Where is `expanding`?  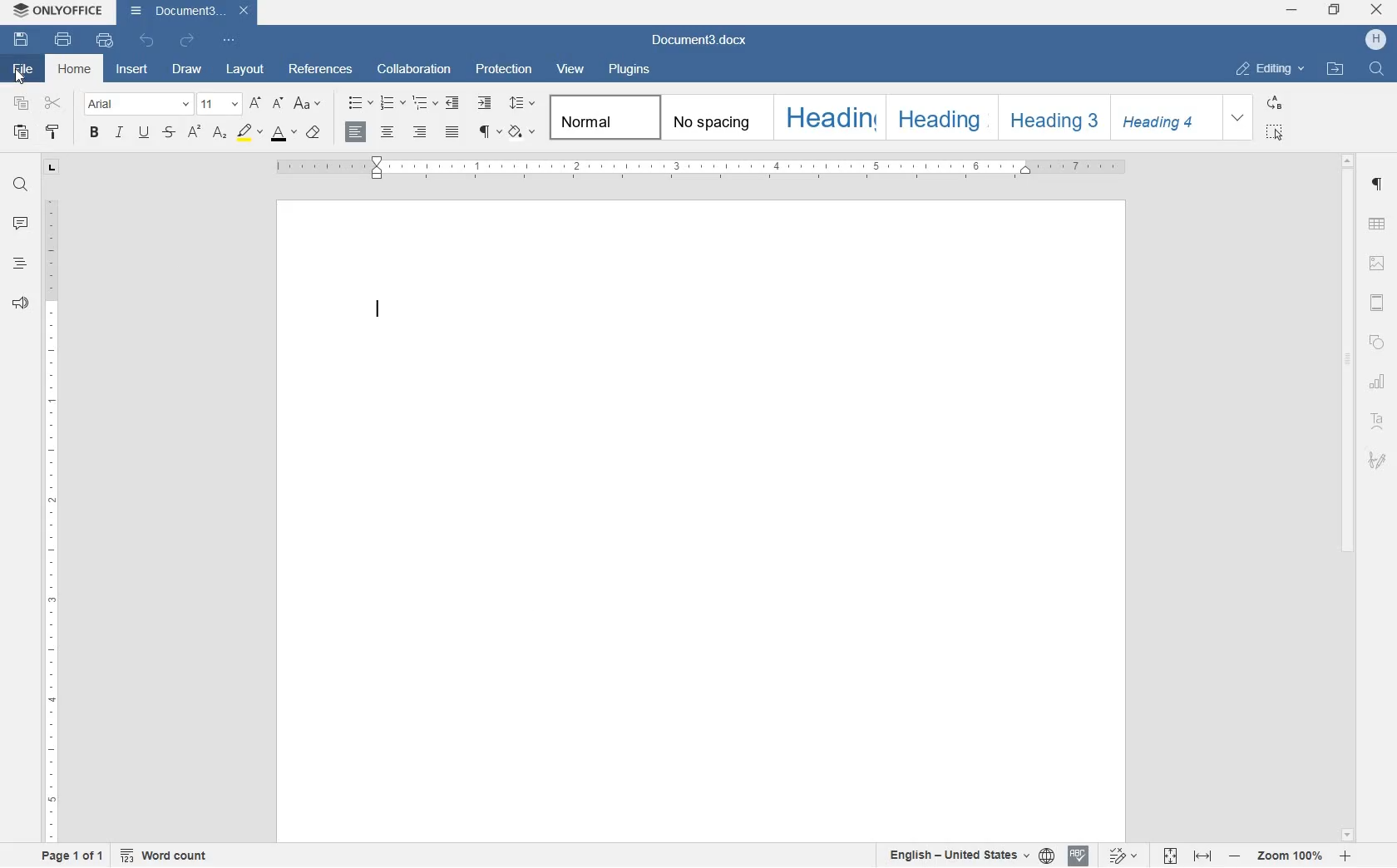 expanding is located at coordinates (1237, 116).